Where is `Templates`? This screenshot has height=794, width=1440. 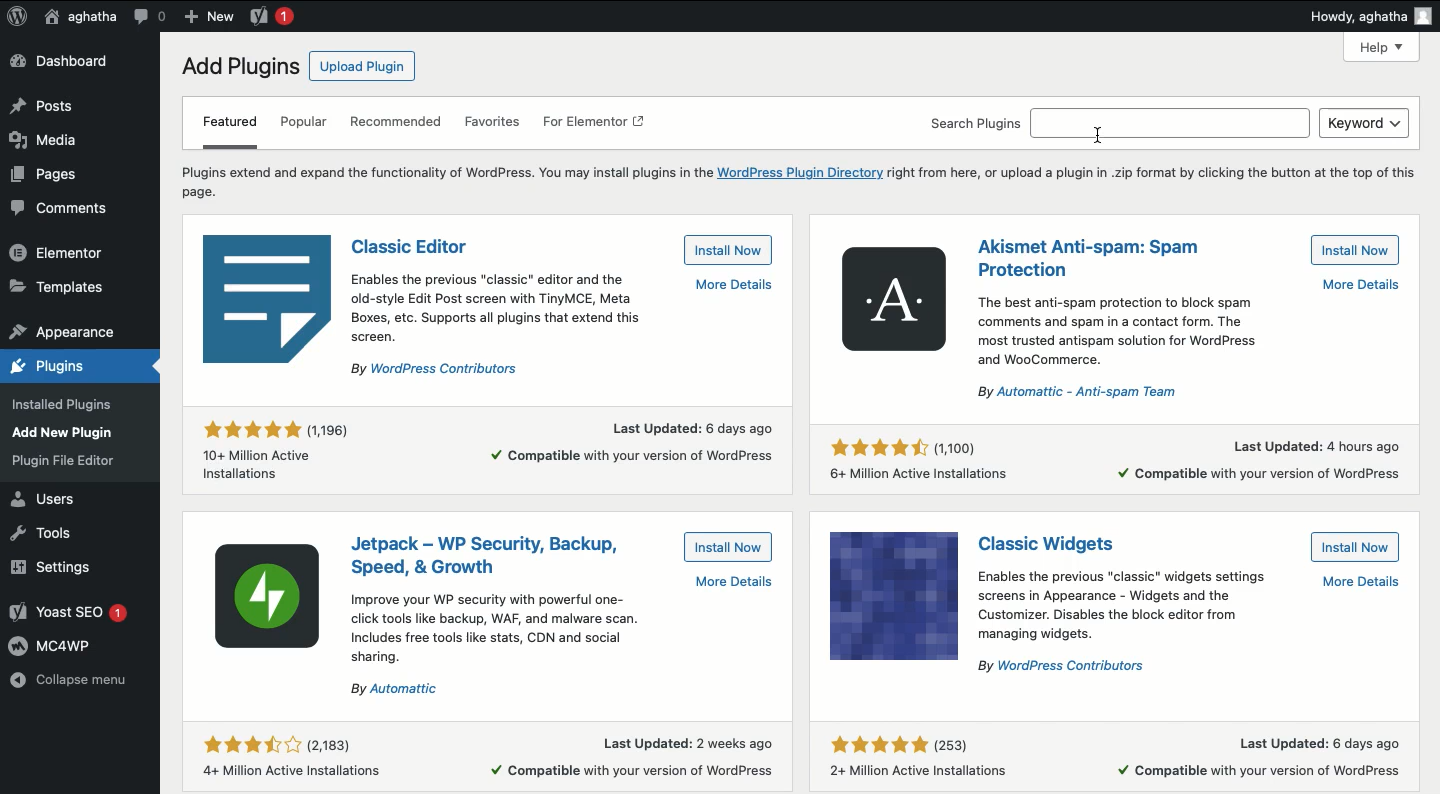
Templates is located at coordinates (59, 288).